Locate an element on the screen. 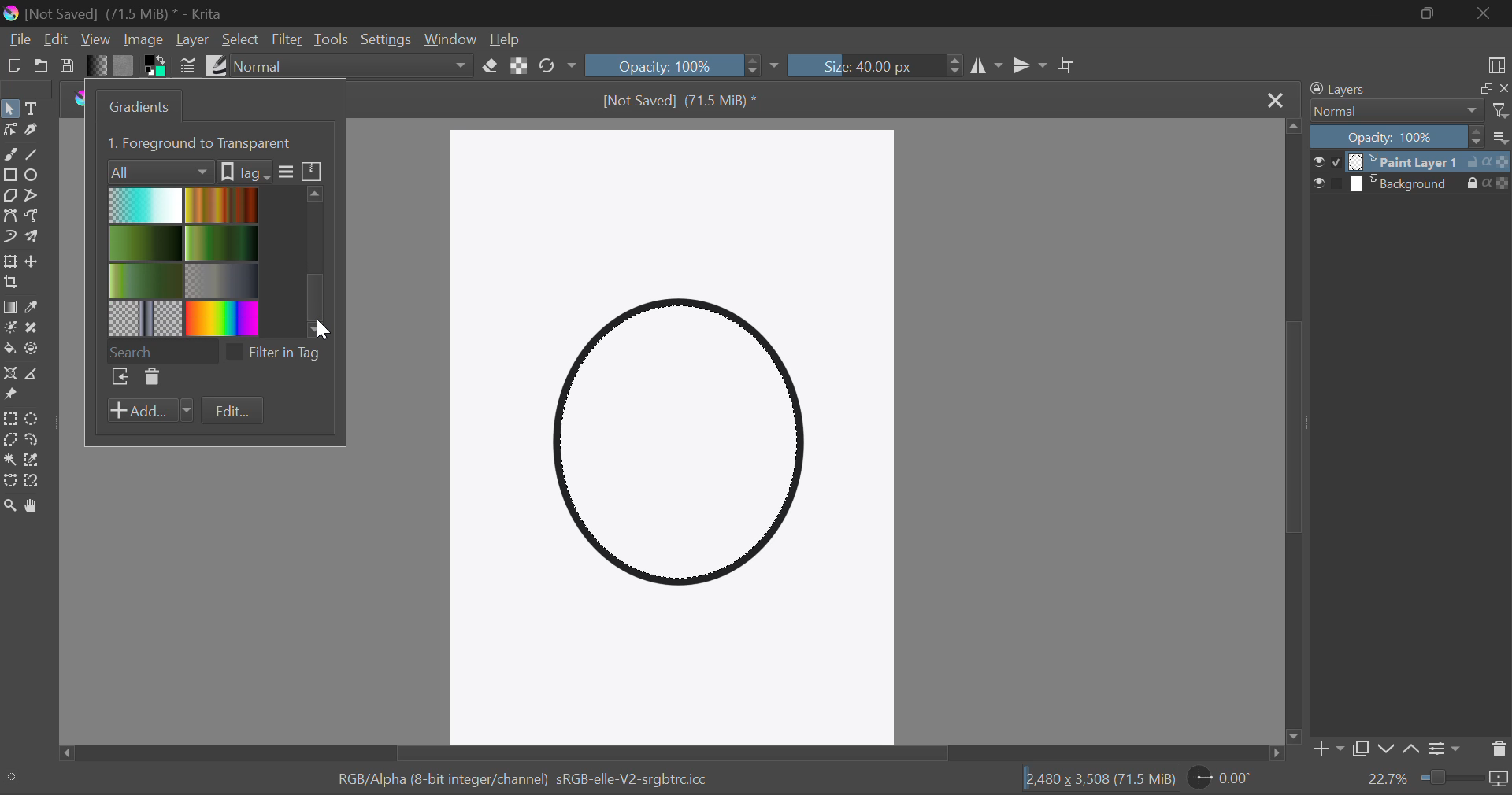 Image resolution: width=1512 pixels, height=795 pixels. Window is located at coordinates (452, 42).